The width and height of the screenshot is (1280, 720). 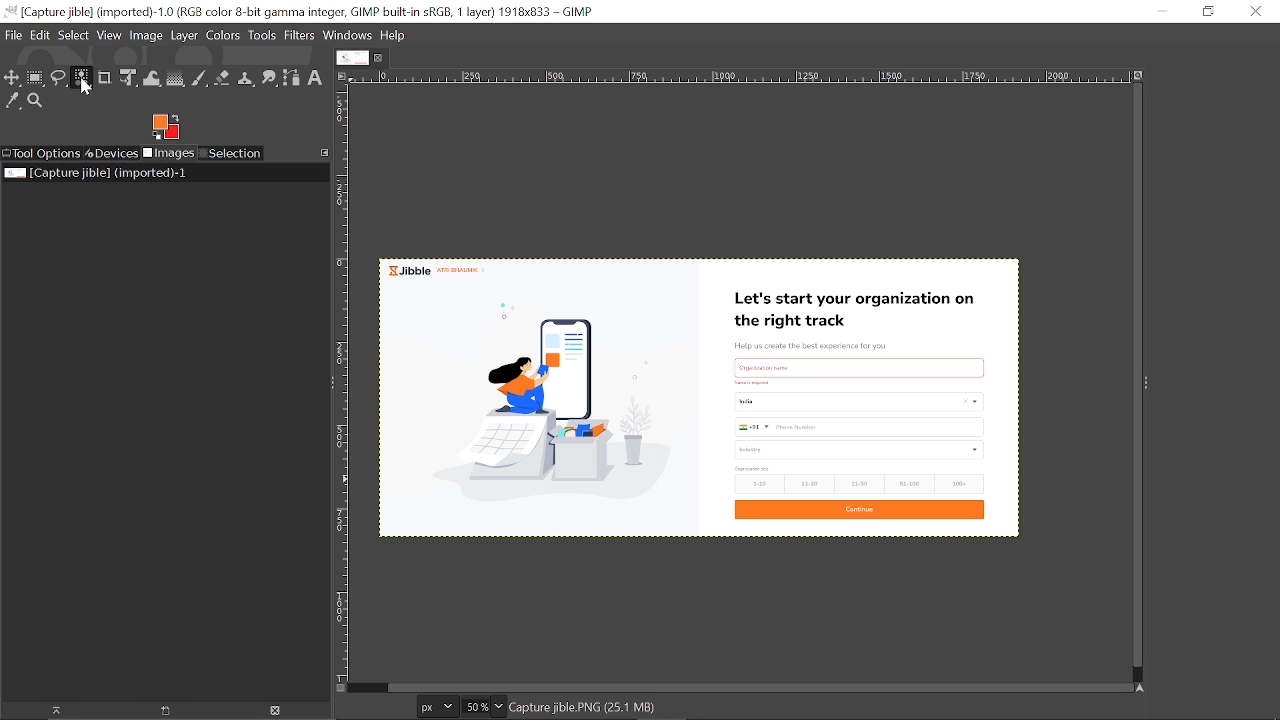 What do you see at coordinates (81, 77) in the screenshot?
I see `Select by color tool` at bounding box center [81, 77].